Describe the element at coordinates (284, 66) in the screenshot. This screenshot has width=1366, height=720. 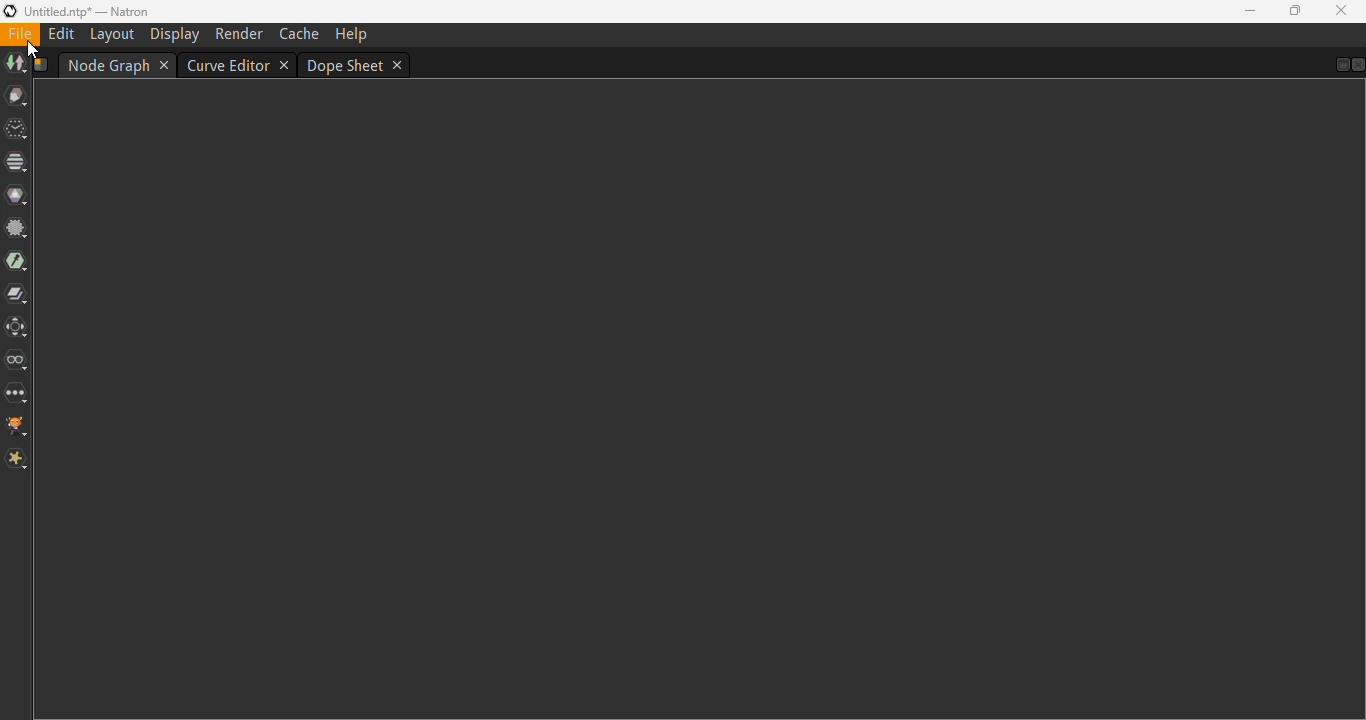
I see `close tab` at that location.